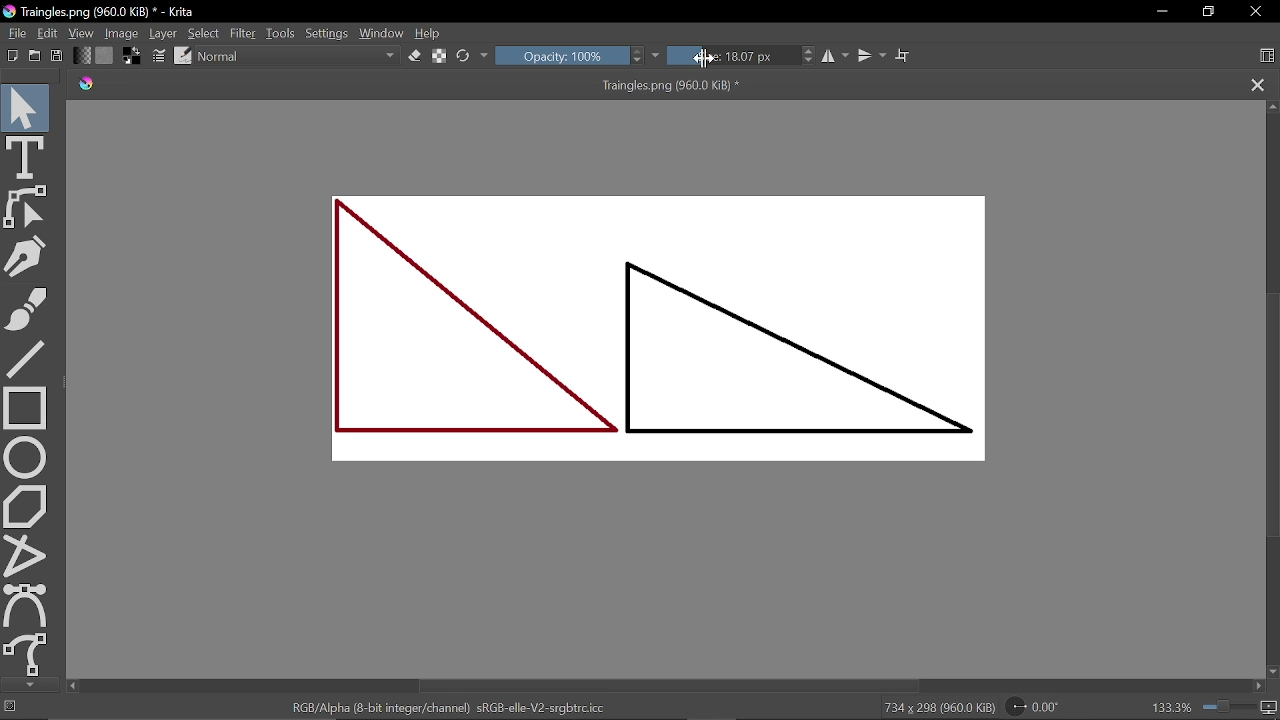  I want to click on Close tab, so click(1256, 85).